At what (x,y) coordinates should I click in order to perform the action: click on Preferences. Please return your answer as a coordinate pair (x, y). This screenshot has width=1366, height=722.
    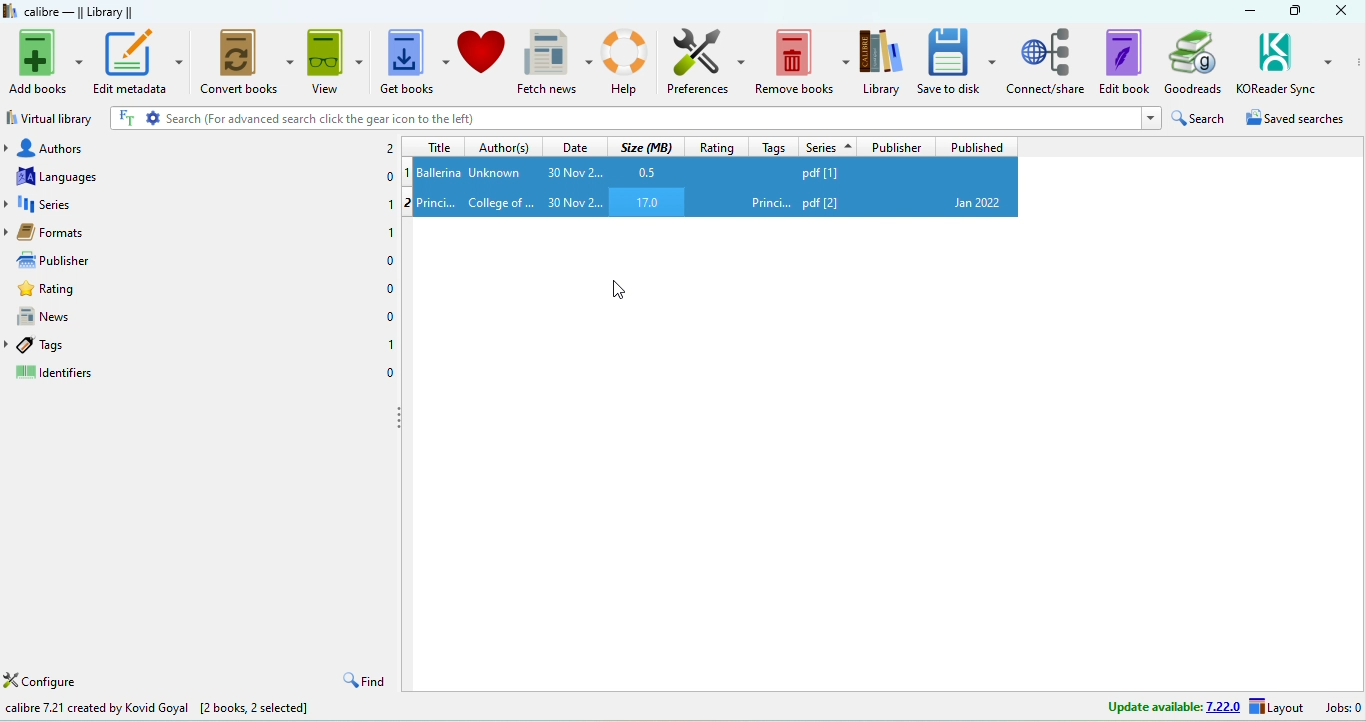
    Looking at the image, I should click on (707, 61).